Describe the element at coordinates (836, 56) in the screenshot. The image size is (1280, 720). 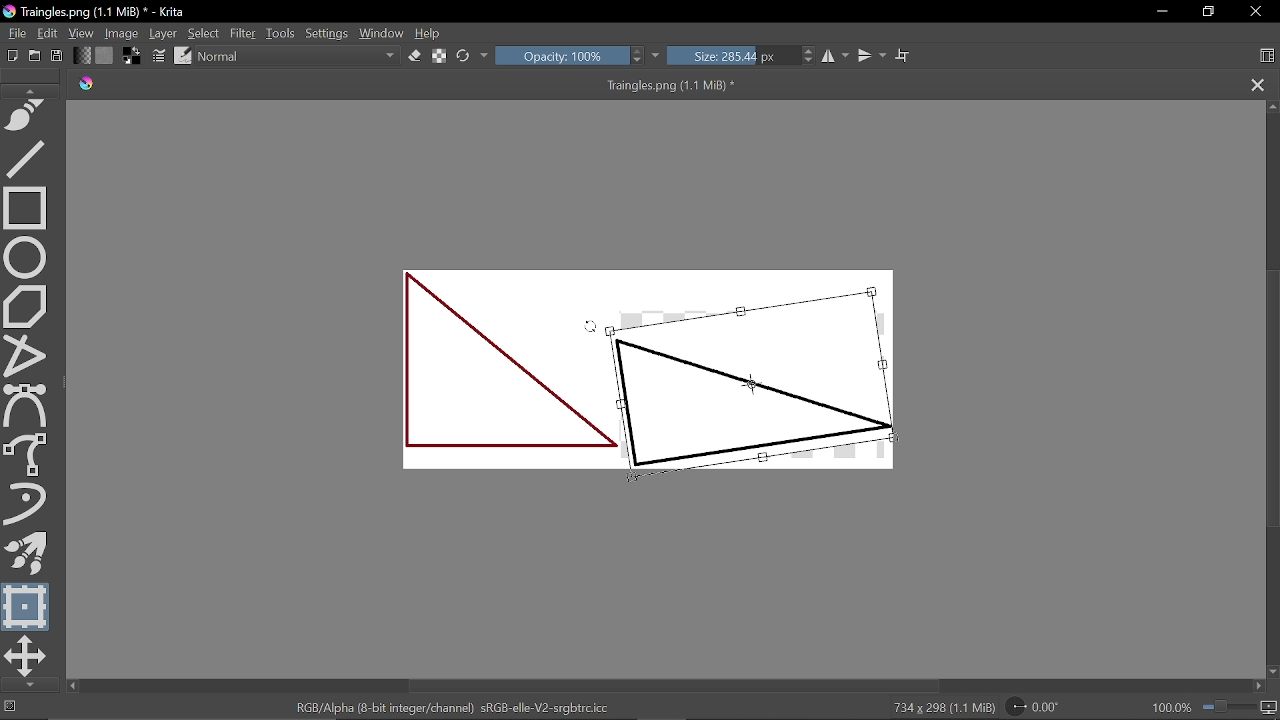
I see `Horizontal mirror` at that location.